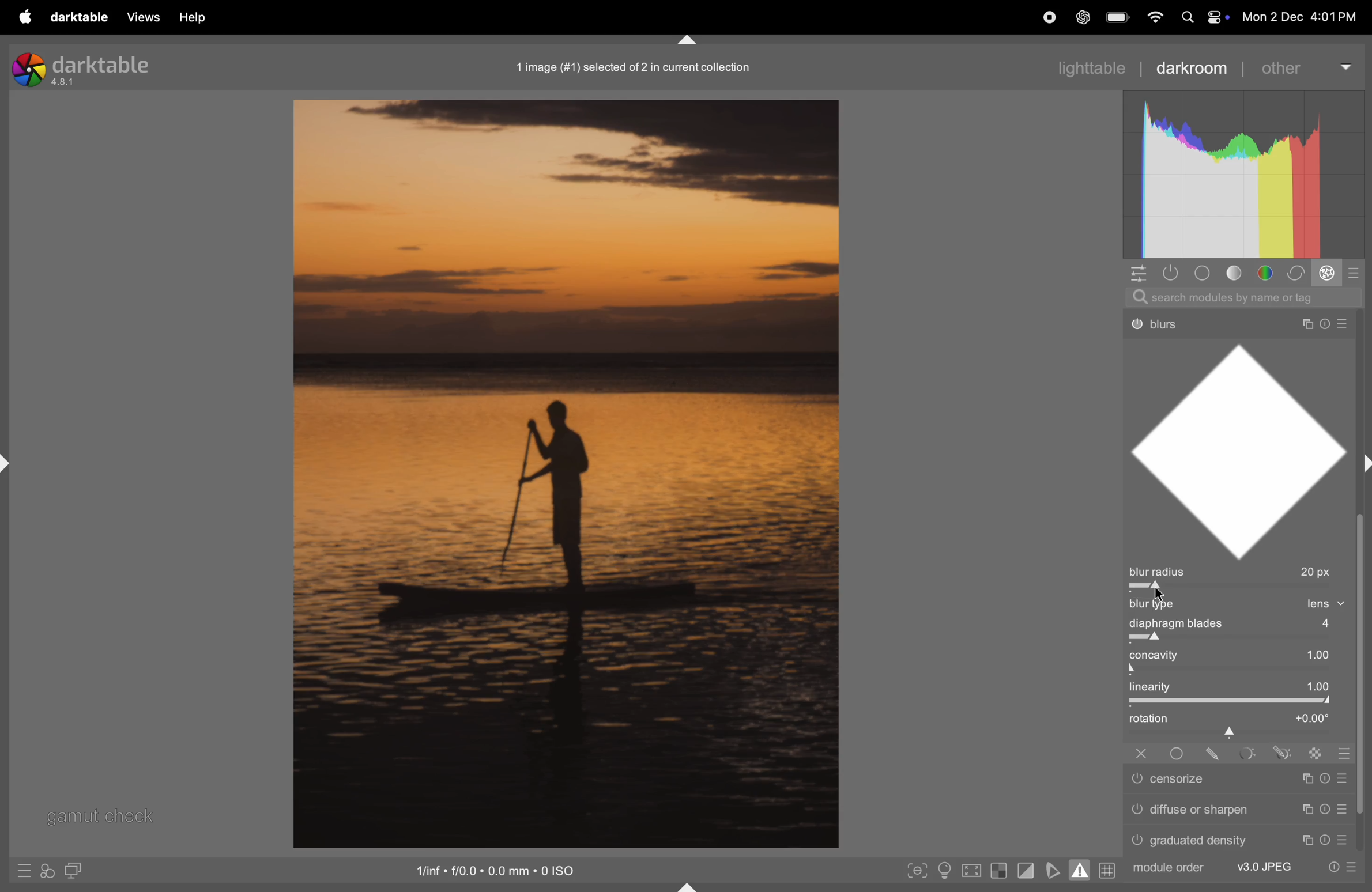 Image resolution: width=1372 pixels, height=892 pixels. I want to click on views, so click(142, 17).